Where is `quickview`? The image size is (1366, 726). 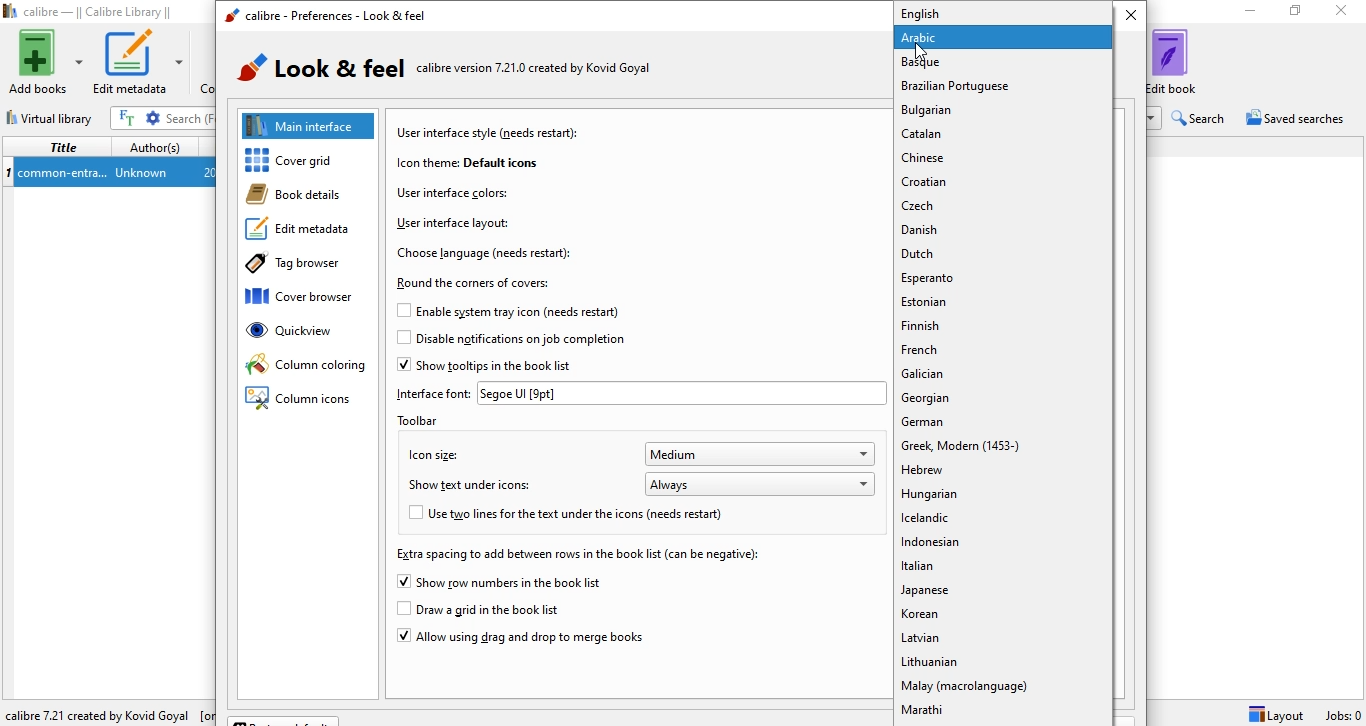 quickview is located at coordinates (310, 336).